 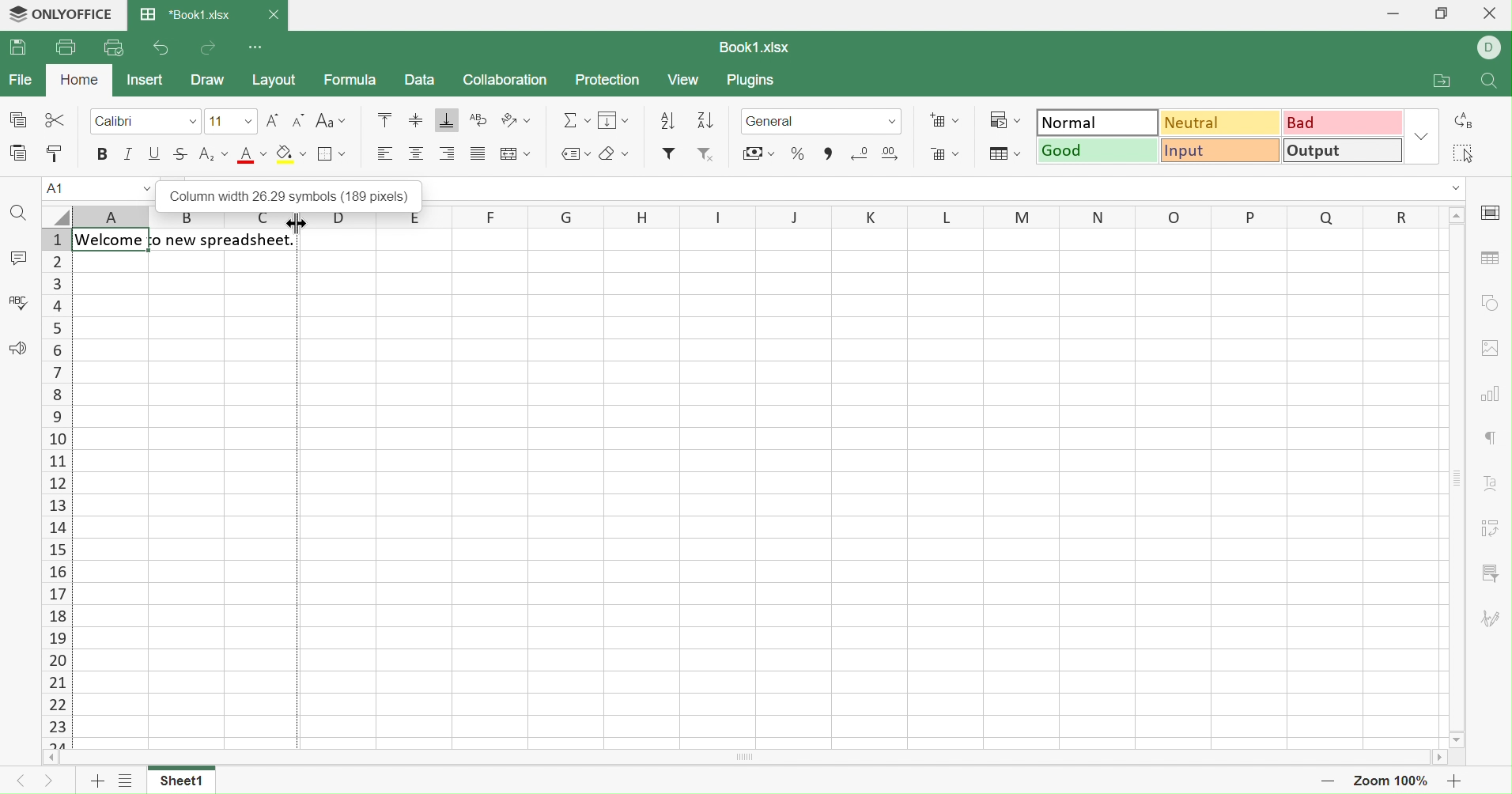 I want to click on Scroll Right, so click(x=1443, y=758).